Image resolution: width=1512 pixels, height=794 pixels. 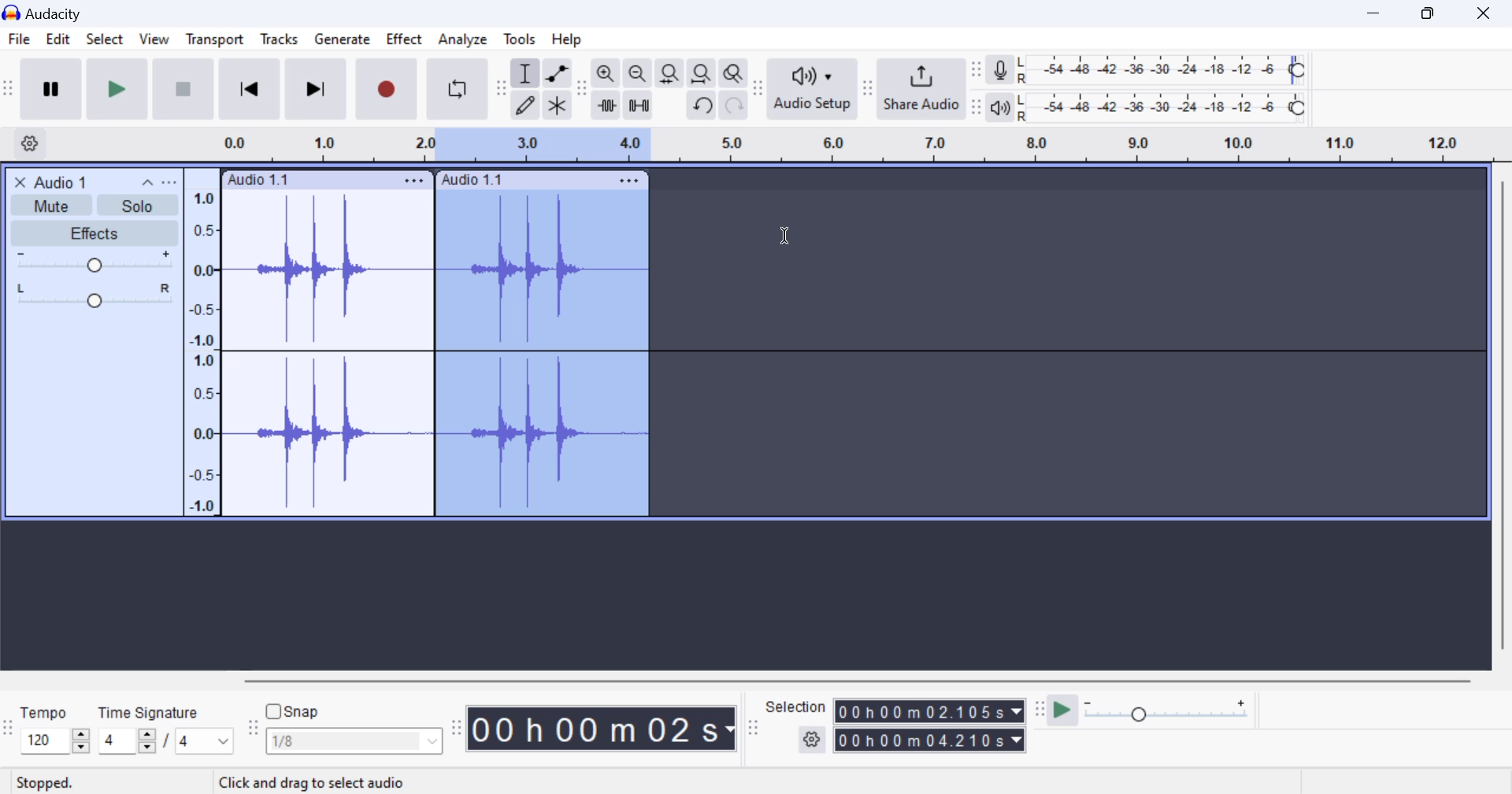 I want to click on zoom in, so click(x=606, y=74).